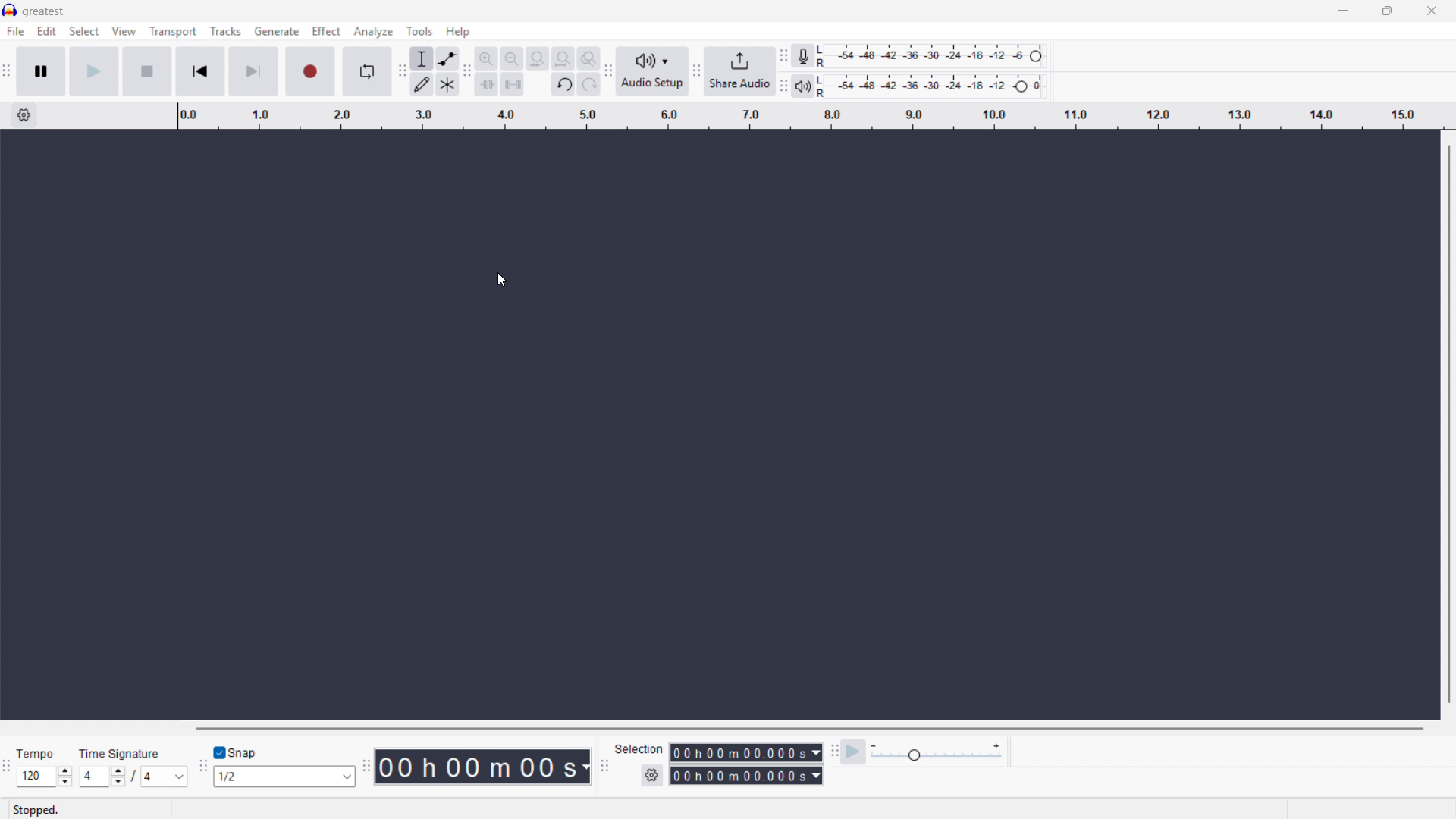  I want to click on Play at speed , so click(853, 752).